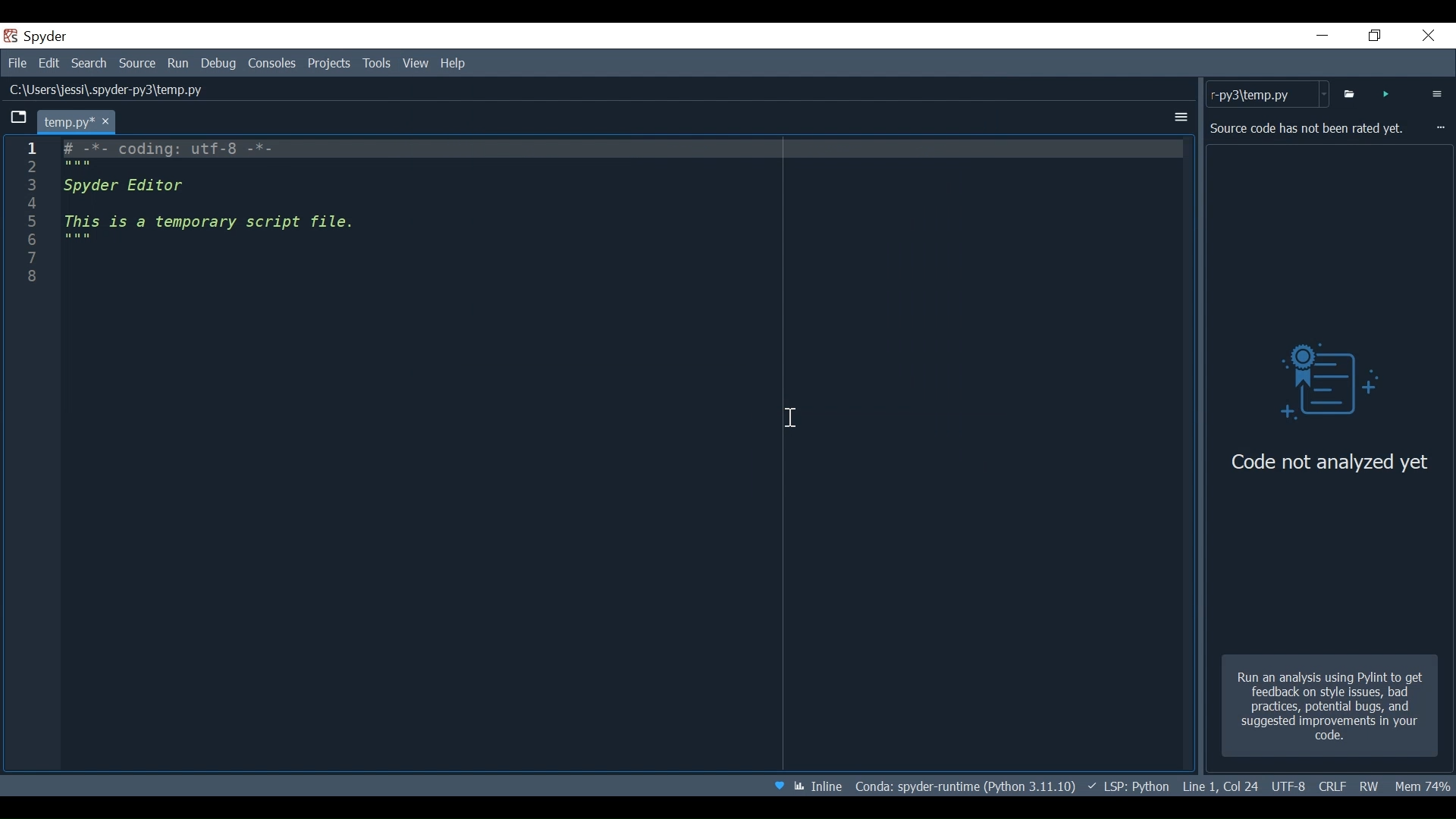 The image size is (1456, 819). I want to click on Search, so click(89, 61).